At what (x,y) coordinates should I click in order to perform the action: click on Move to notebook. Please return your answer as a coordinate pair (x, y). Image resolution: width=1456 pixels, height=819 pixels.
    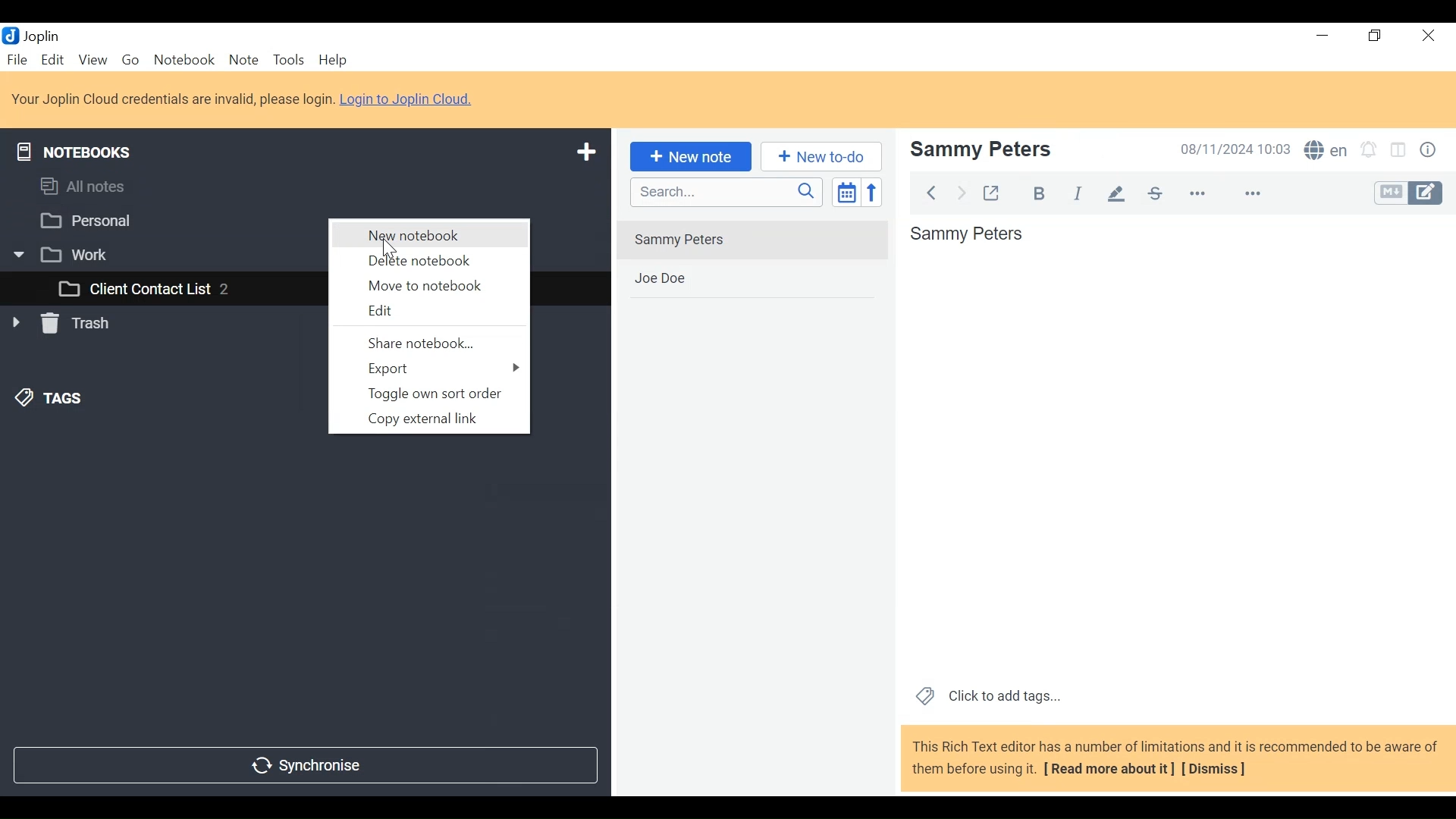
    Looking at the image, I should click on (428, 286).